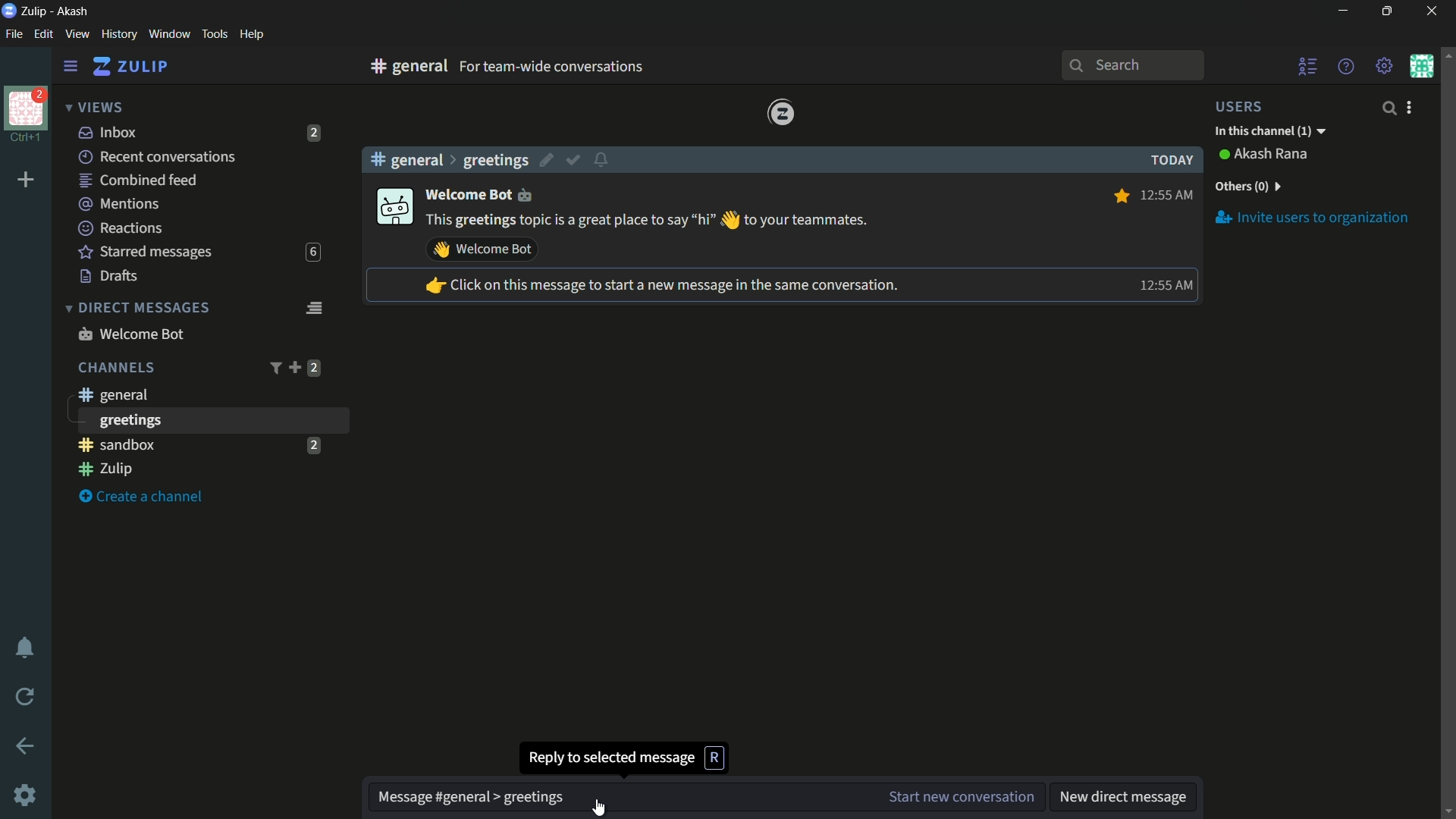 The image size is (1456, 819). What do you see at coordinates (1123, 798) in the screenshot?
I see `new direct message` at bounding box center [1123, 798].